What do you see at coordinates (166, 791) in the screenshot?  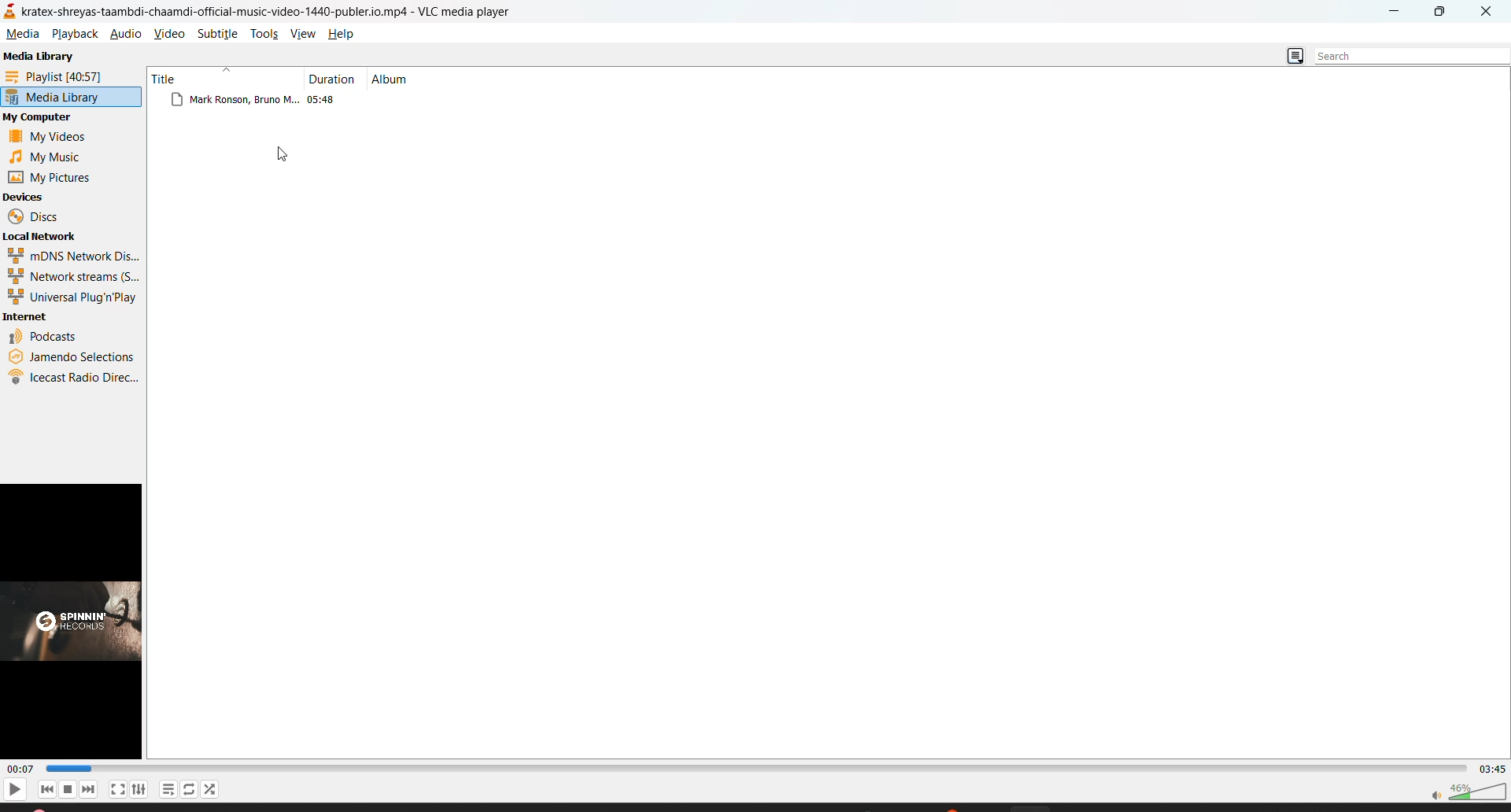 I see `playlist` at bounding box center [166, 791].